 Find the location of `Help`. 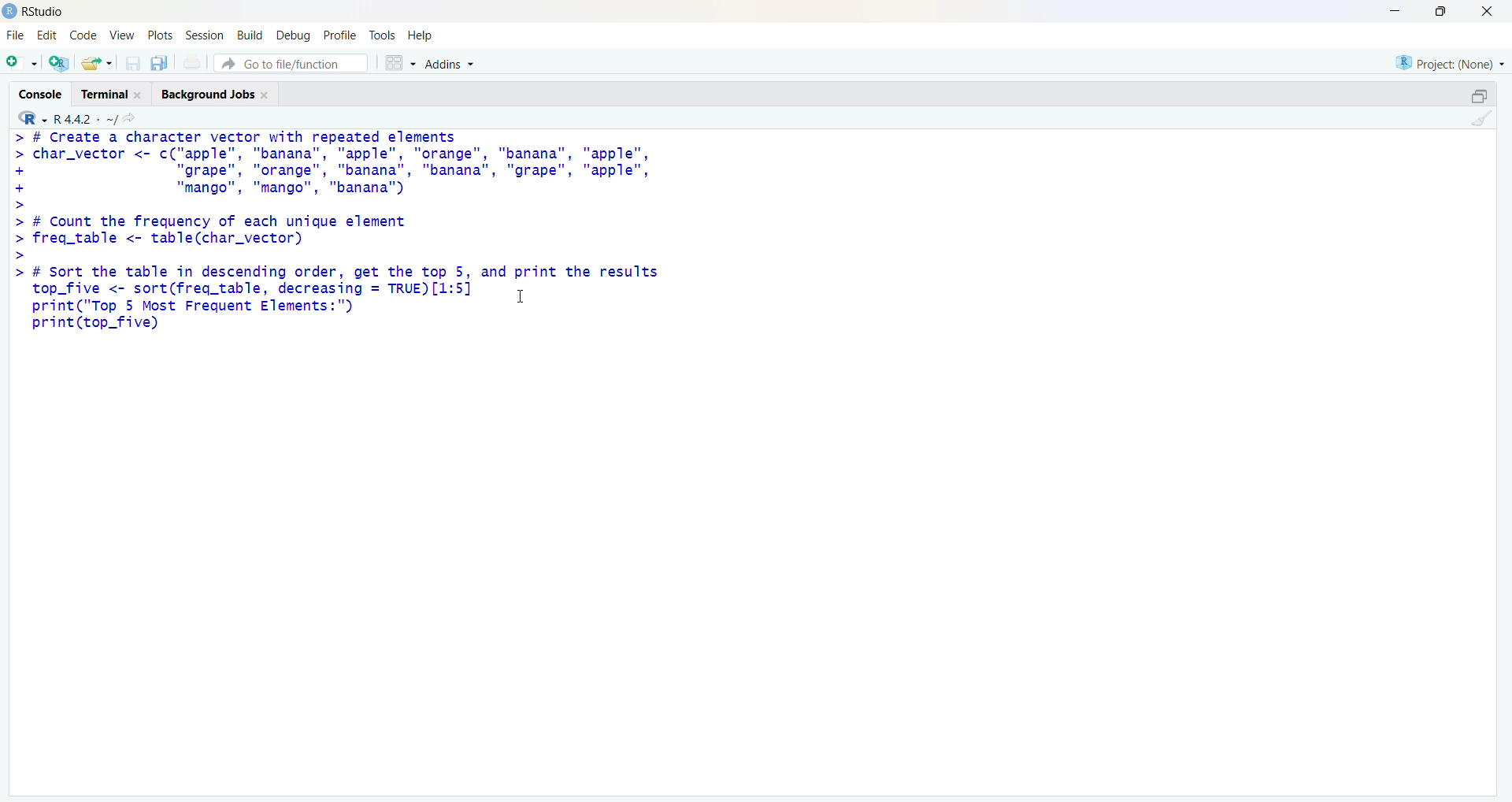

Help is located at coordinates (426, 37).